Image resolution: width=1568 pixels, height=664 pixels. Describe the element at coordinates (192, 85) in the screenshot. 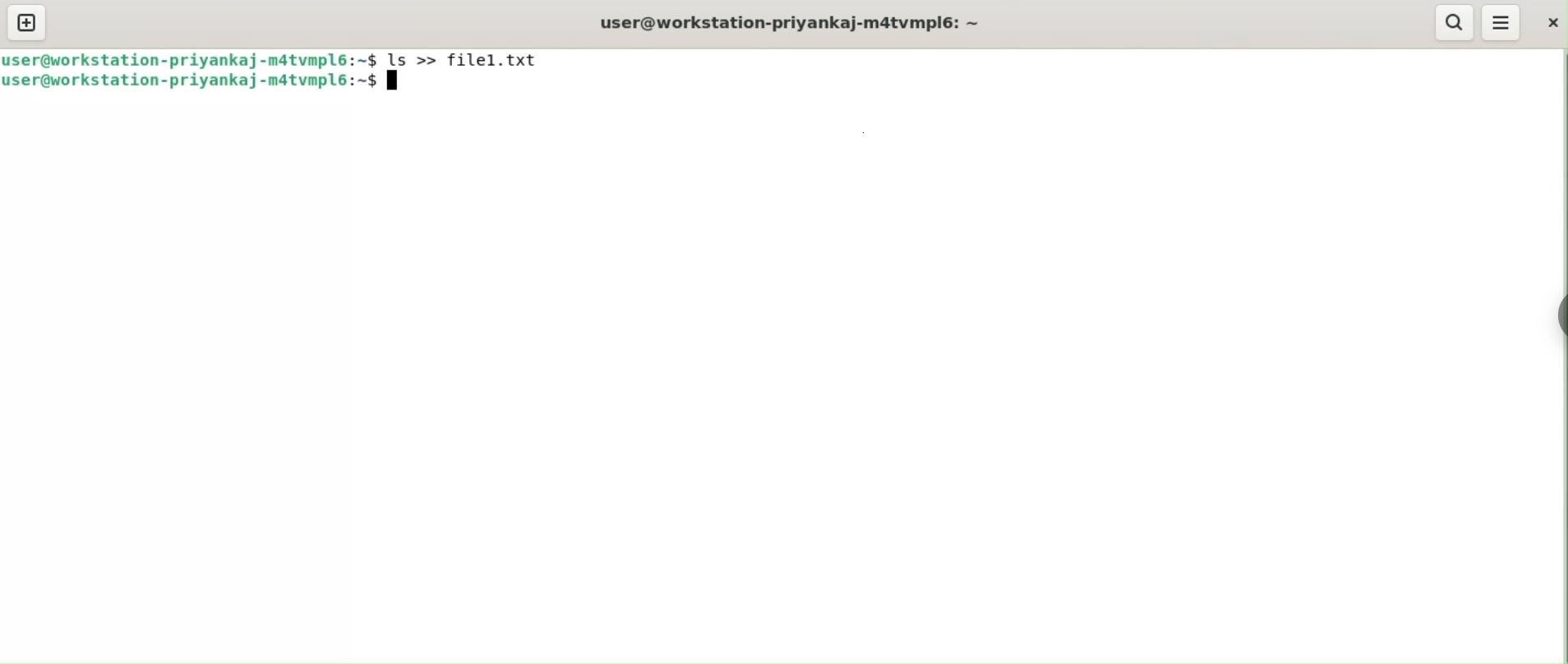

I see `user@workstation-priyankaj-m4tvmpl6: ~$` at that location.